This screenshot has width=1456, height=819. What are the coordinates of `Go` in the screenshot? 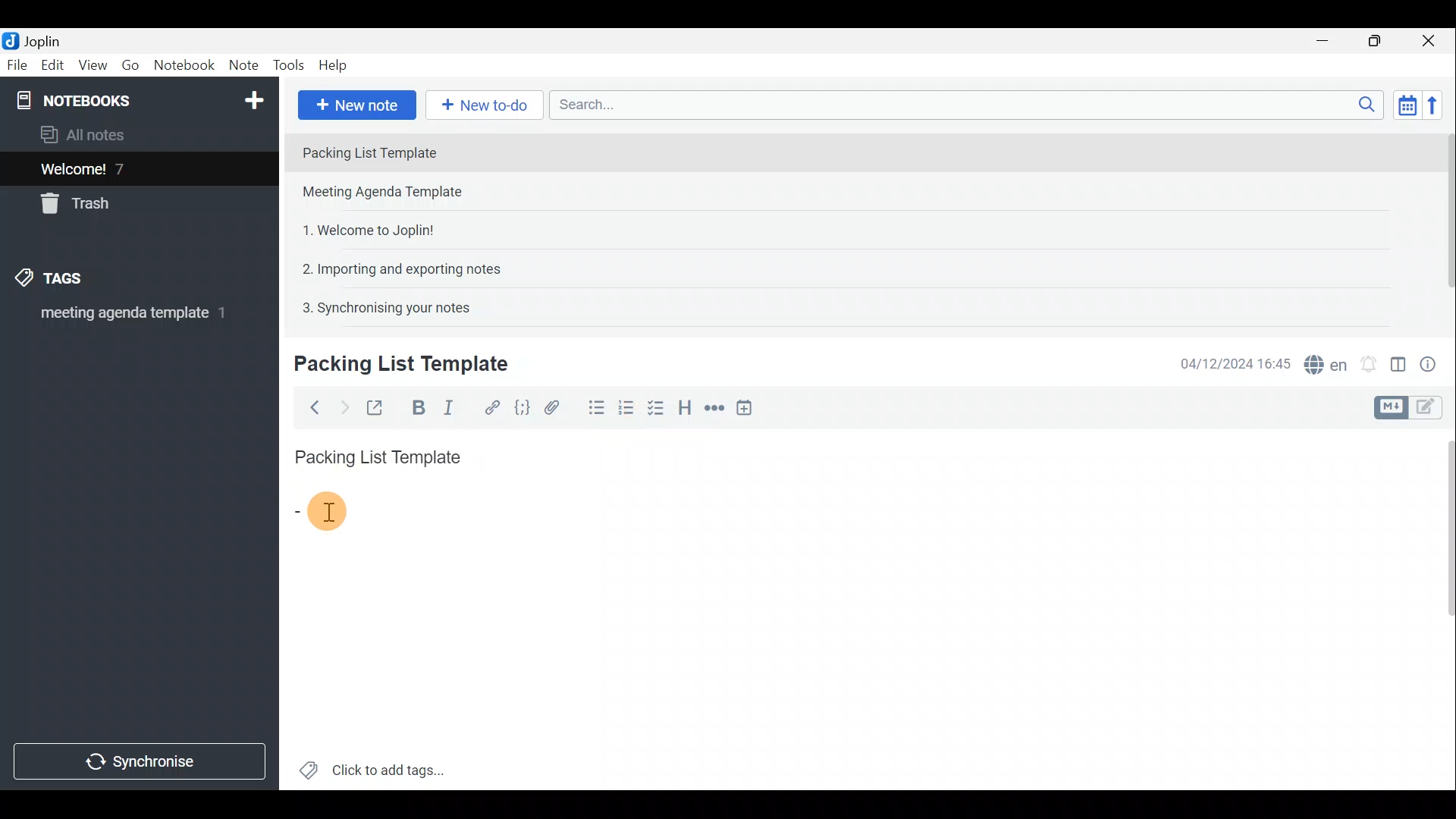 It's located at (131, 65).